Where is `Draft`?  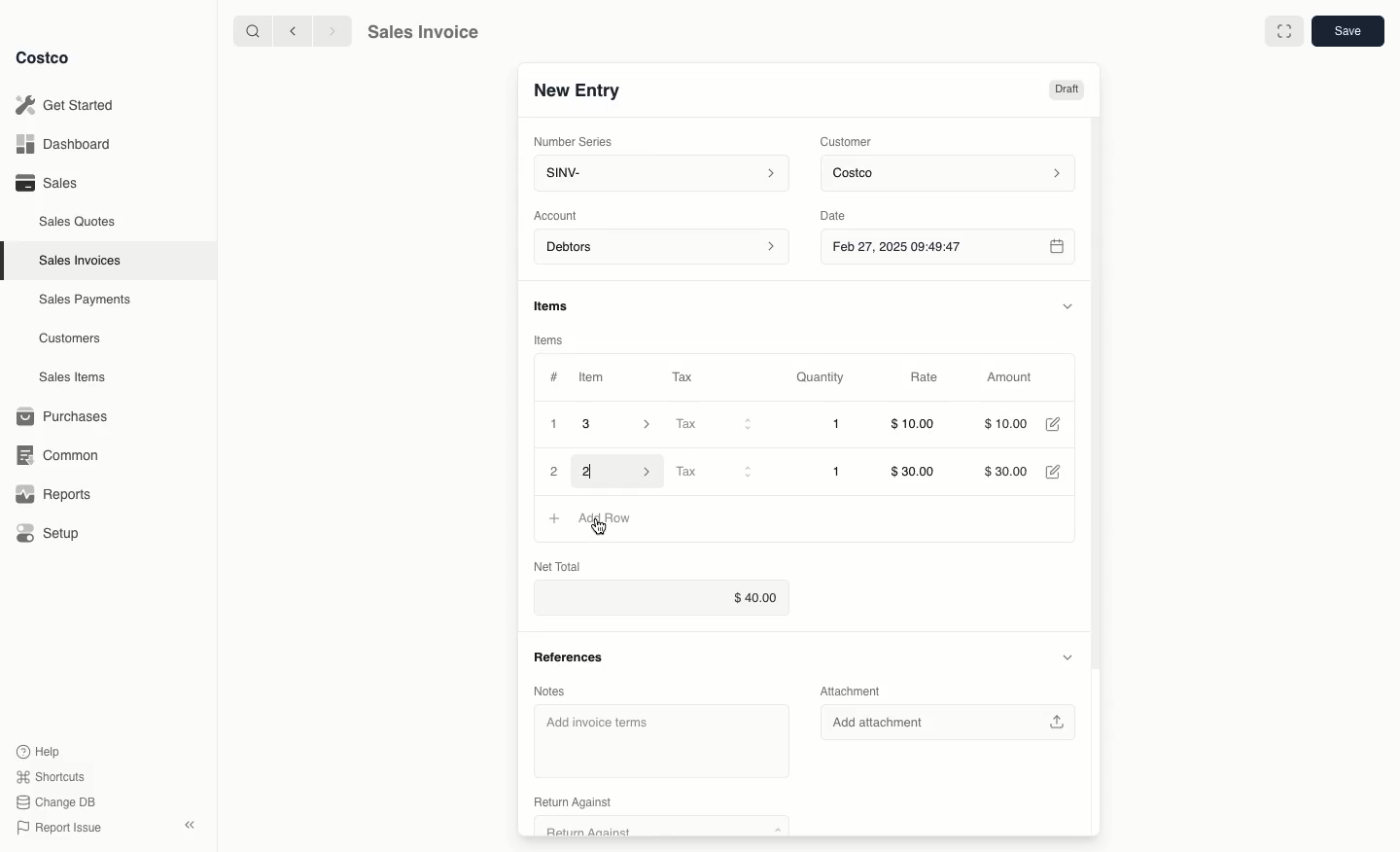 Draft is located at coordinates (1067, 90).